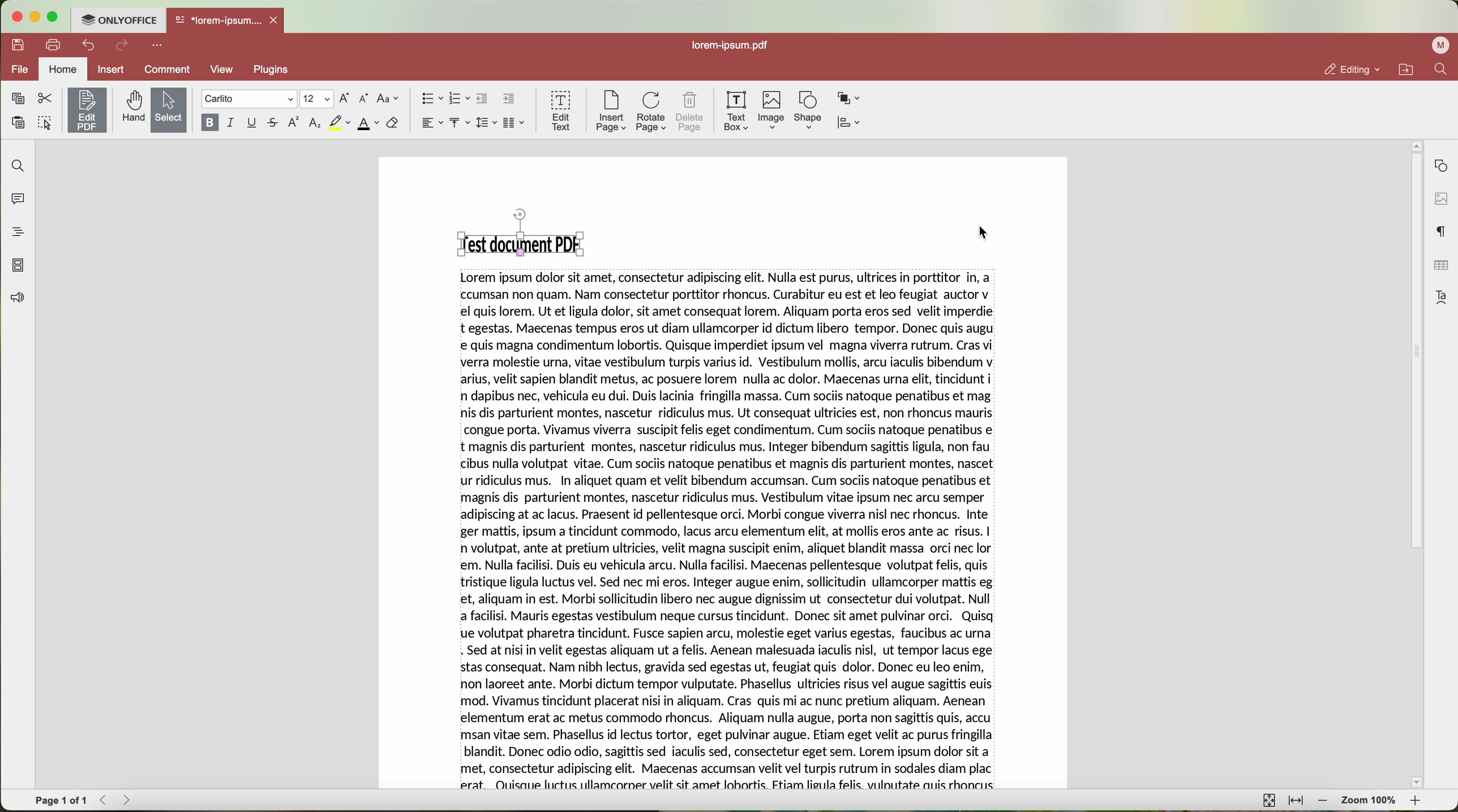 The width and height of the screenshot is (1458, 812). Describe the element at coordinates (977, 233) in the screenshot. I see `cursor` at that location.